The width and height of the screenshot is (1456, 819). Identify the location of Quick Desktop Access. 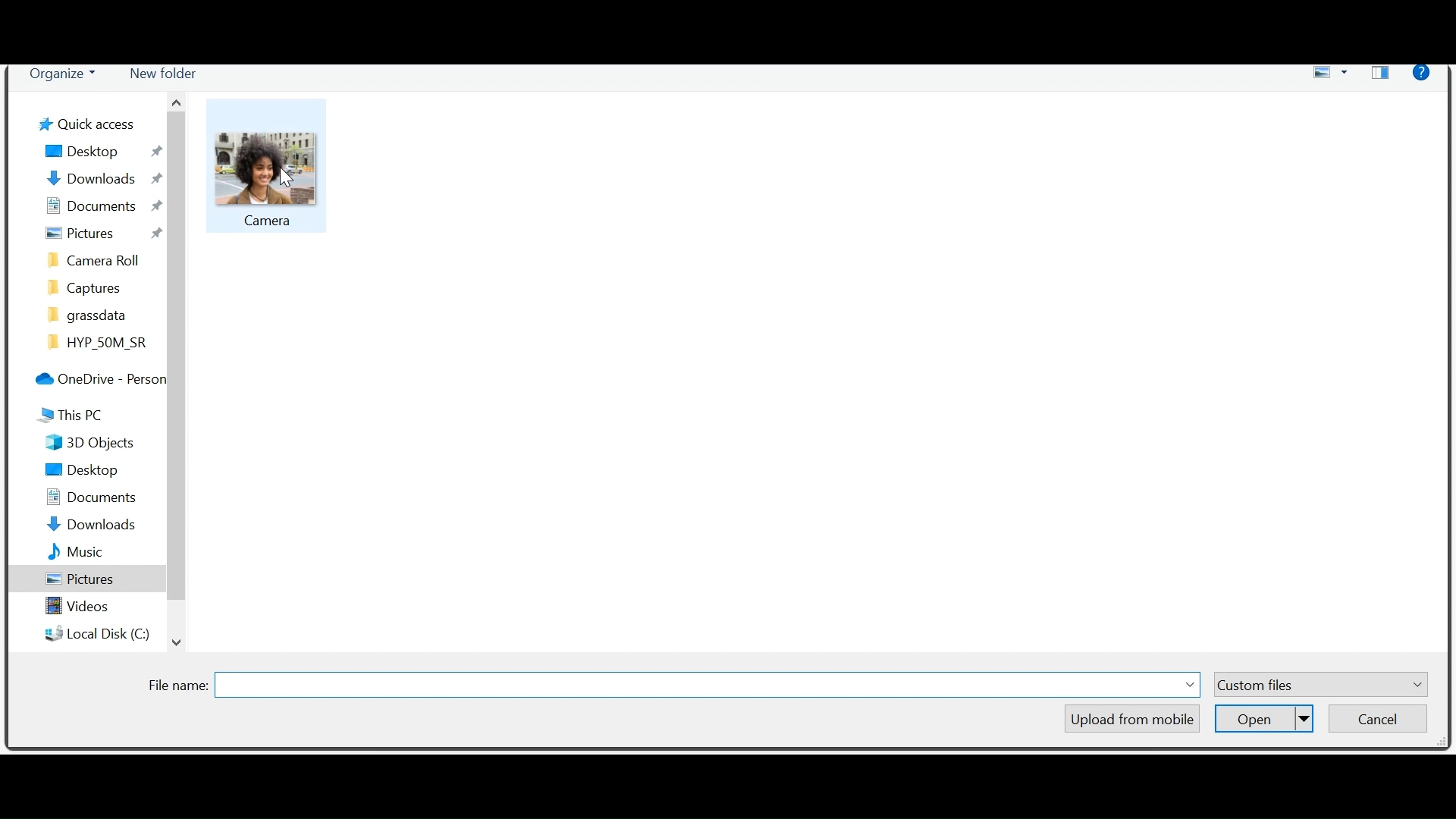
(87, 126).